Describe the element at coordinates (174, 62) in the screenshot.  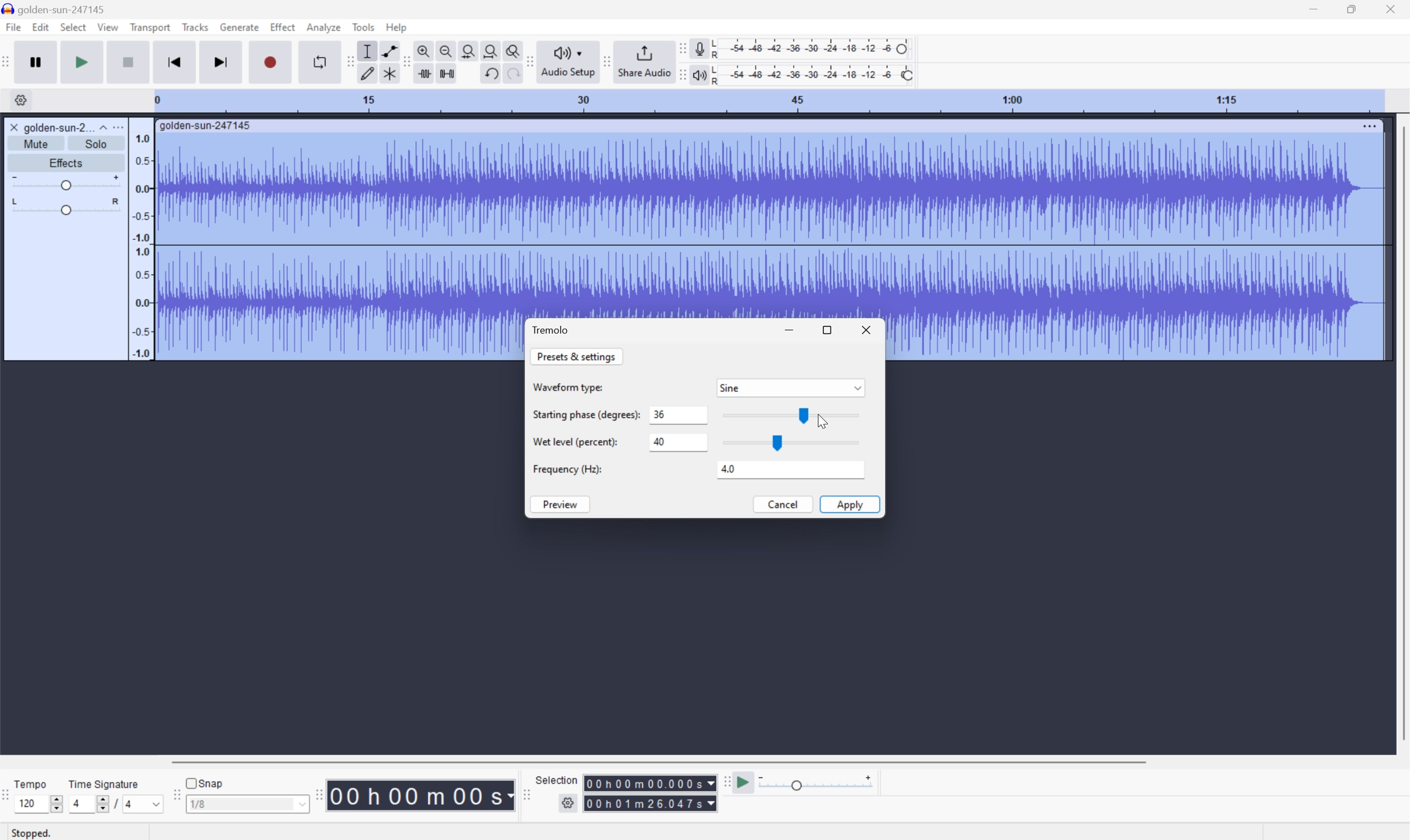
I see `Skip to start` at that location.